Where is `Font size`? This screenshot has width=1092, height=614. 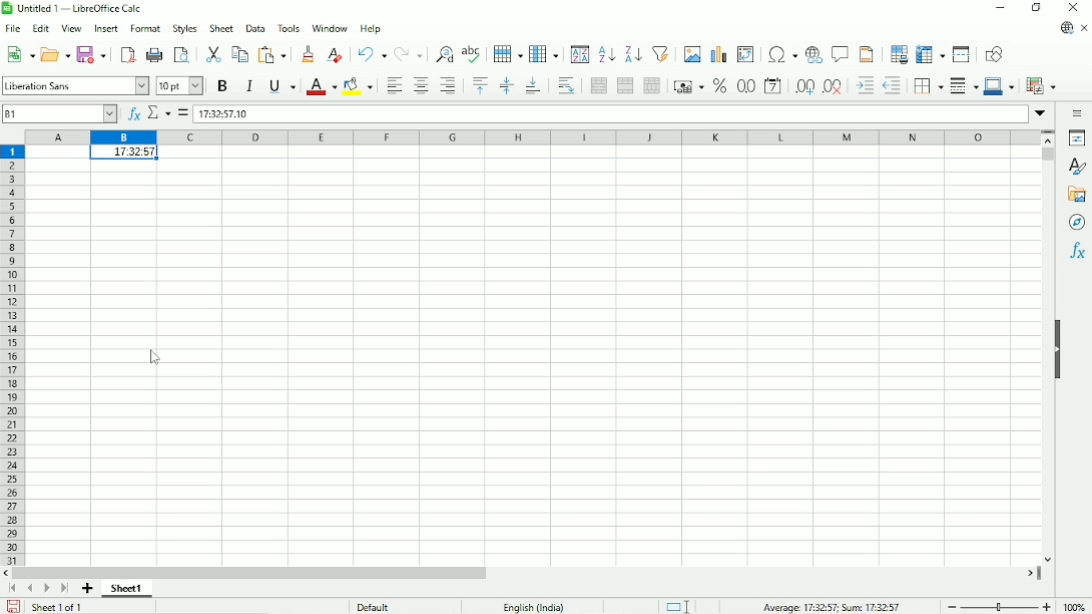 Font size is located at coordinates (180, 86).